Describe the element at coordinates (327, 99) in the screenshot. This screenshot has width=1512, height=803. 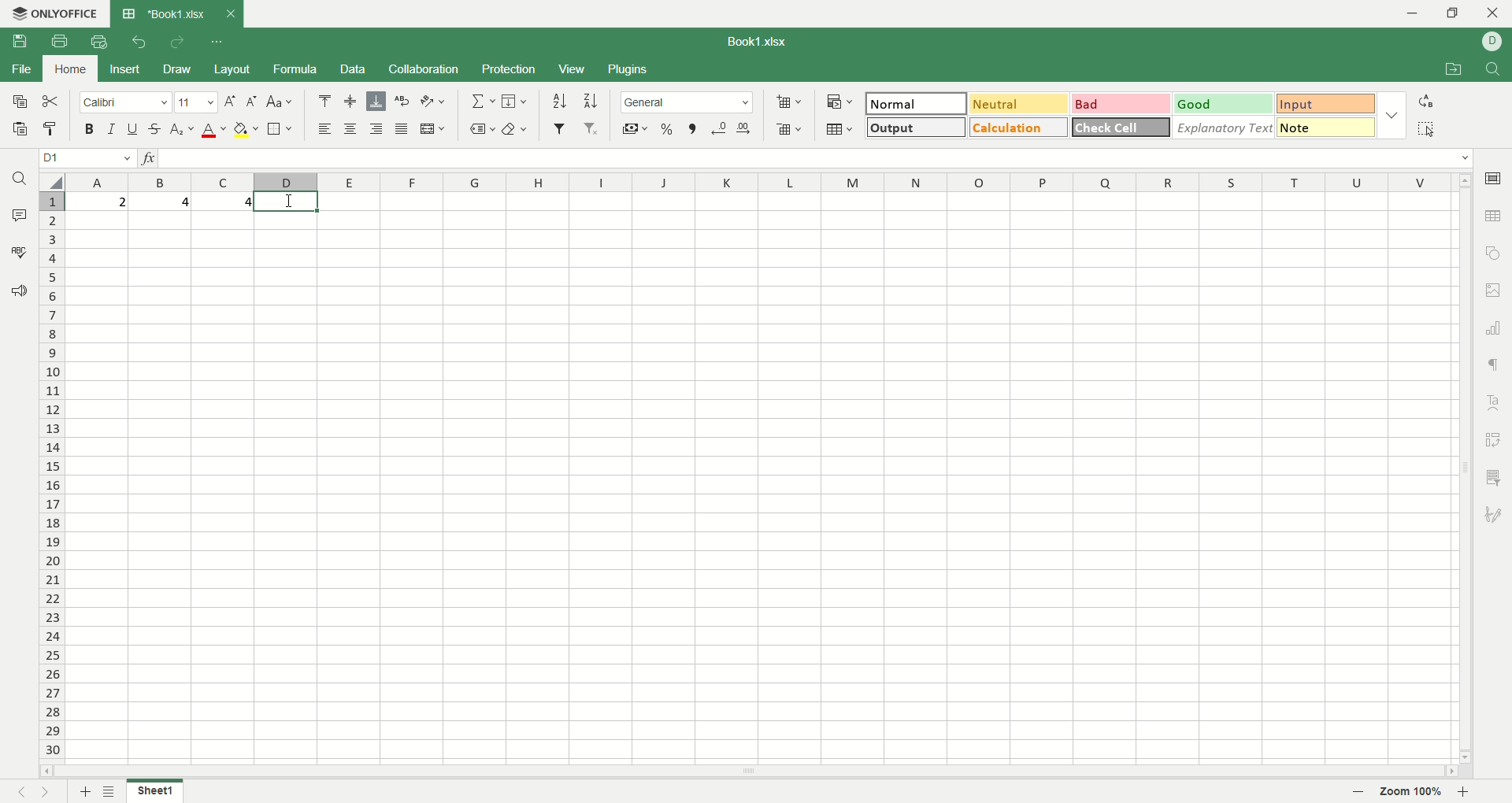
I see `align top` at that location.